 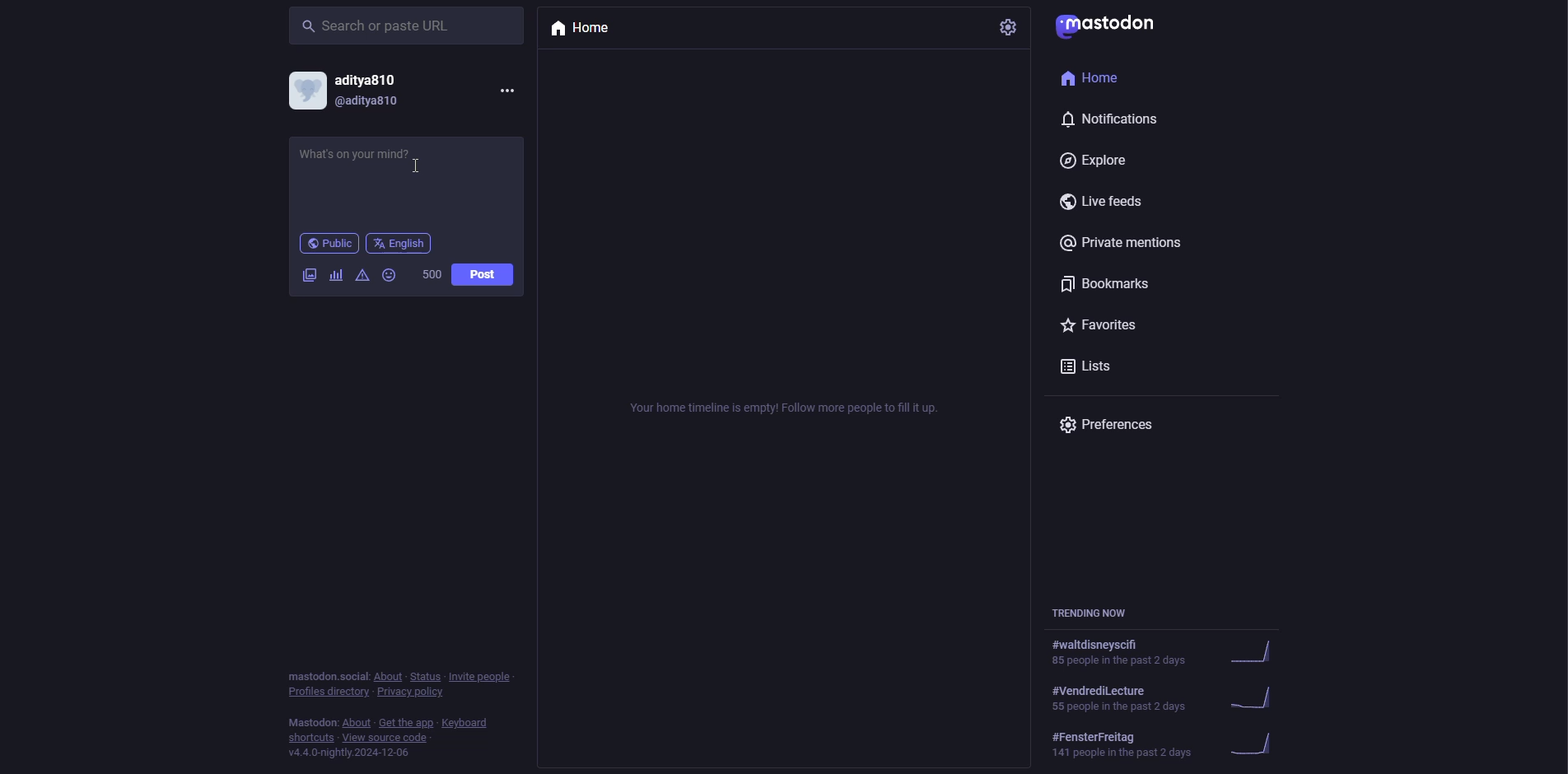 What do you see at coordinates (1116, 28) in the screenshot?
I see `mastodon` at bounding box center [1116, 28].